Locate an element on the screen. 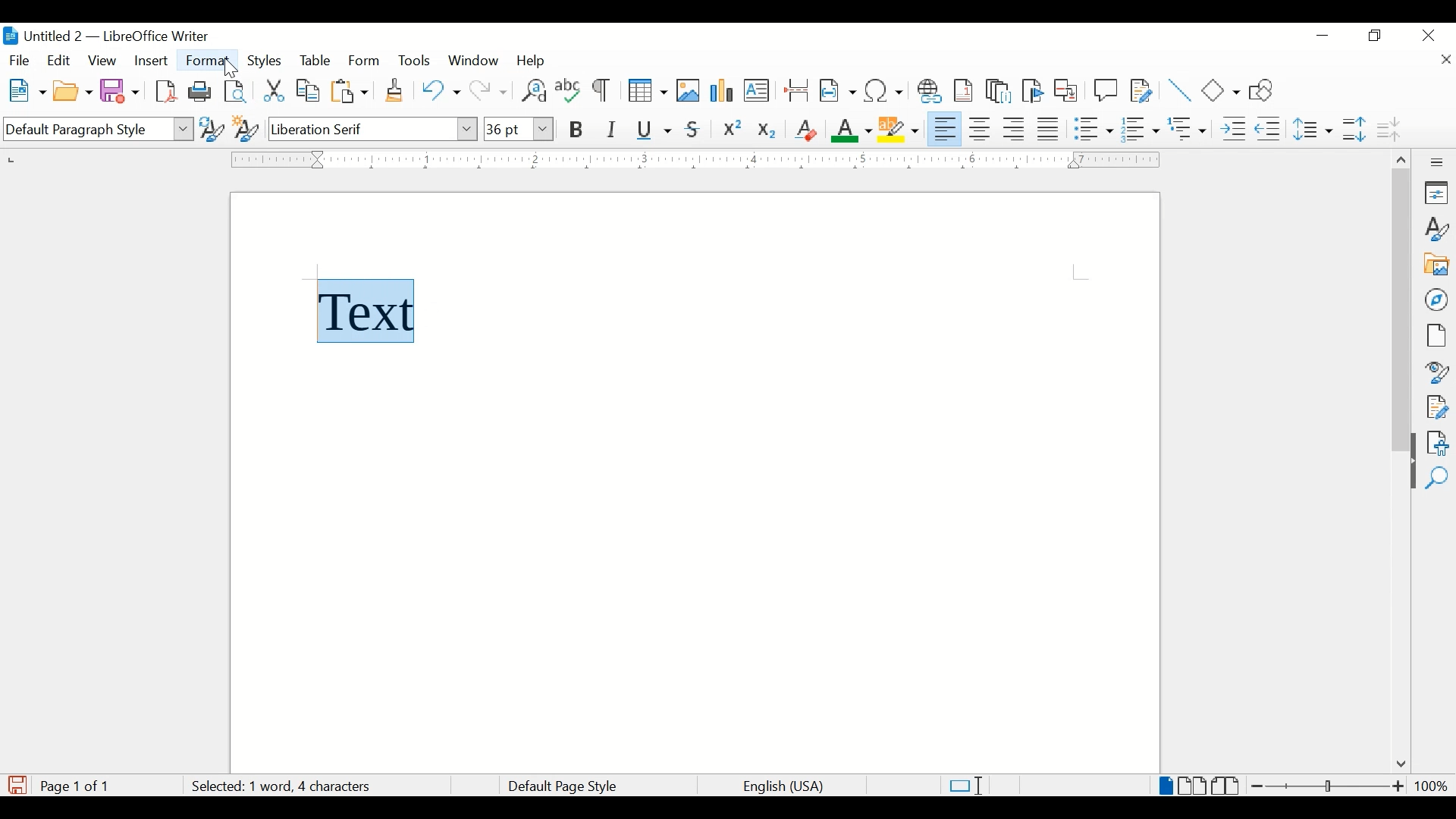 The width and height of the screenshot is (1456, 819). font name is located at coordinates (374, 128).